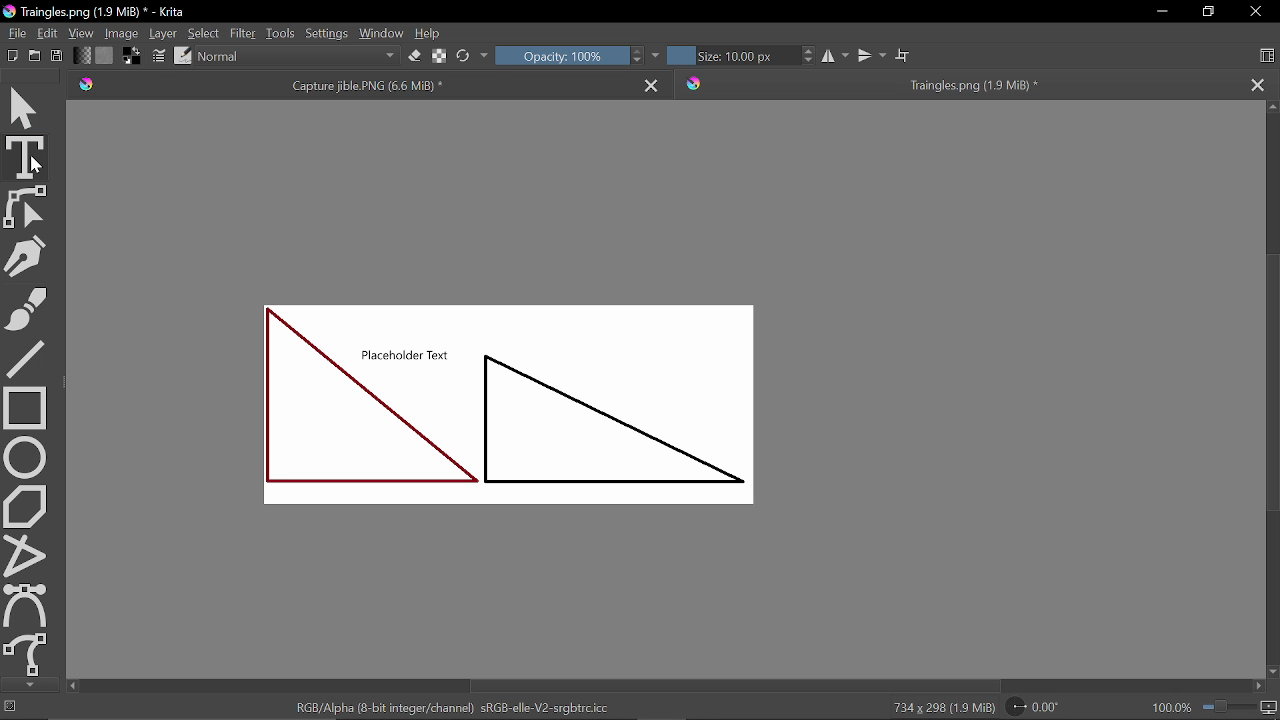 This screenshot has width=1280, height=720. Describe the element at coordinates (49, 32) in the screenshot. I see `Edit` at that location.